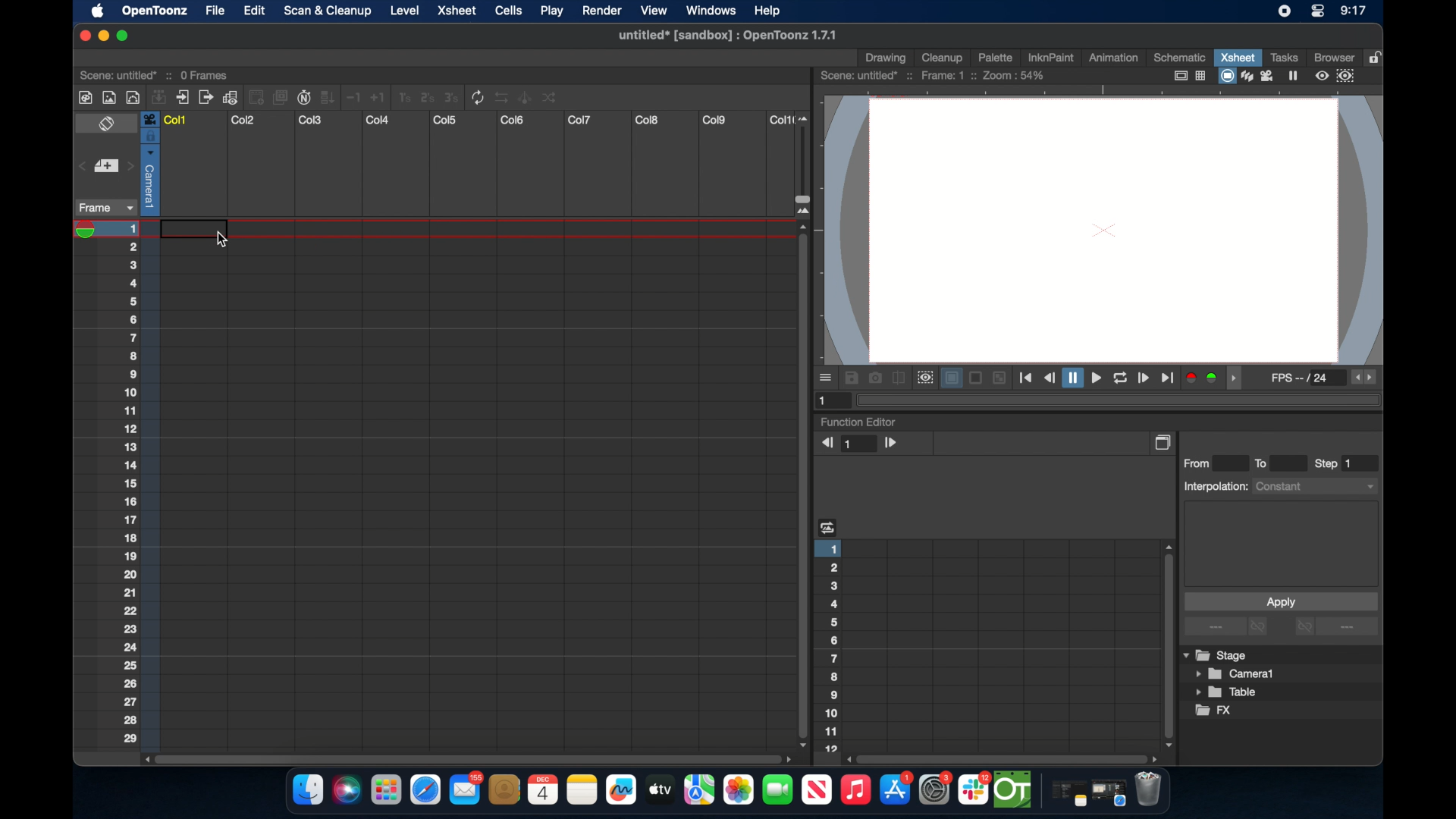 The image size is (1456, 819). Describe the element at coordinates (828, 526) in the screenshot. I see `heading` at that location.